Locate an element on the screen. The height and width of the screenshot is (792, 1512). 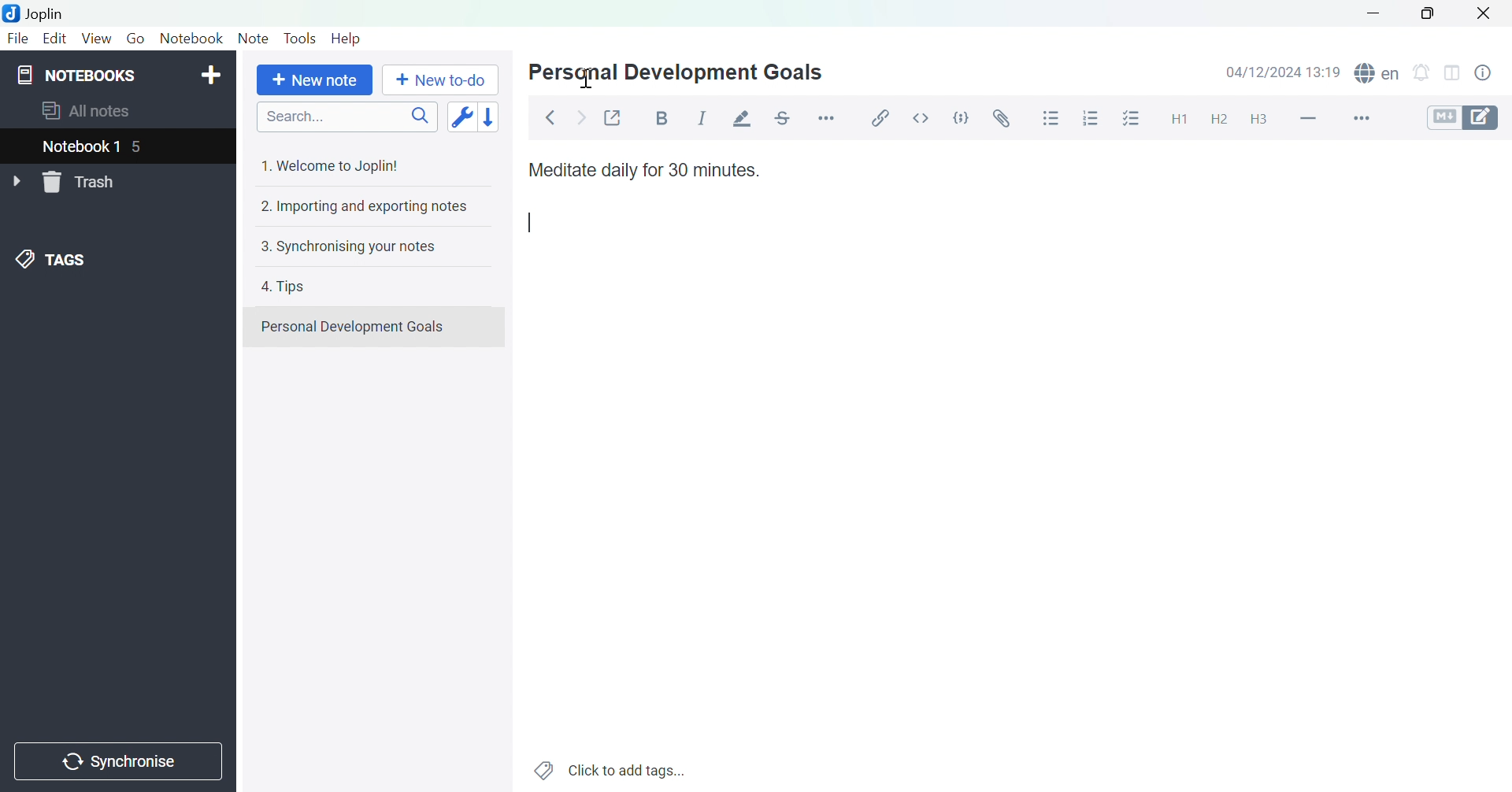
Heading 3 is located at coordinates (1258, 120).